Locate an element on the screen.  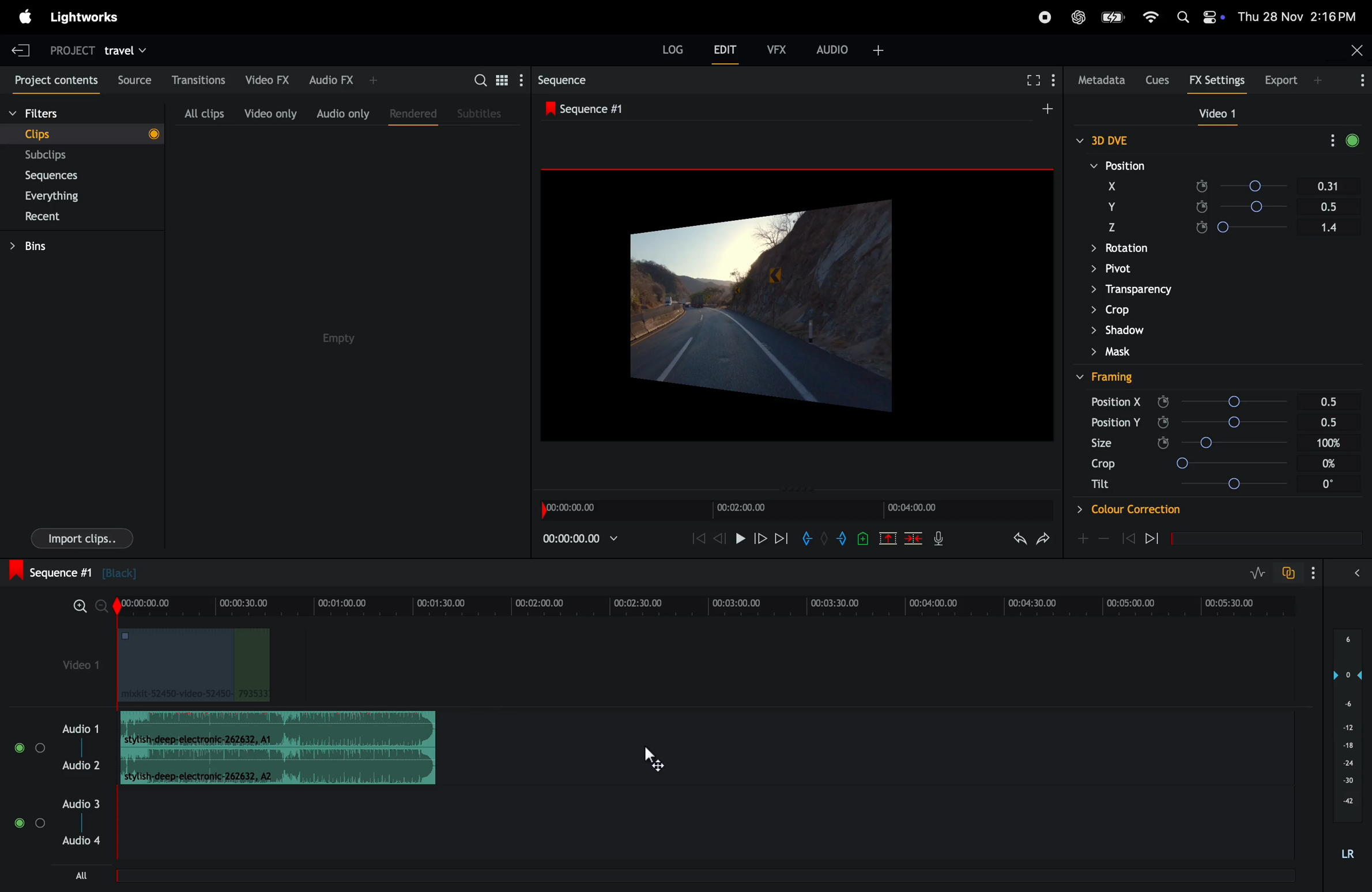
audio track is located at coordinates (285, 747).